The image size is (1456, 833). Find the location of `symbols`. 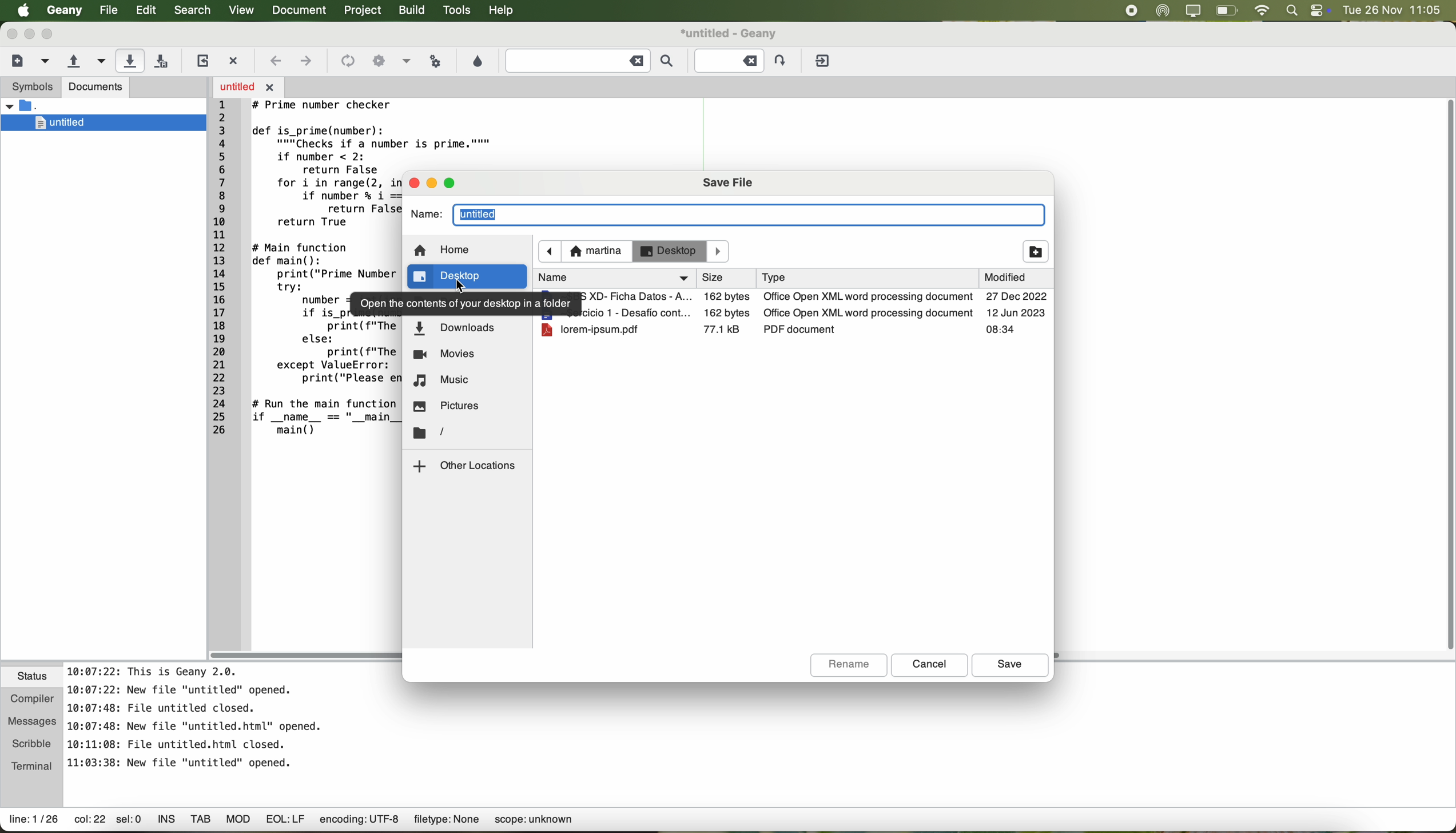

symbols is located at coordinates (30, 88).